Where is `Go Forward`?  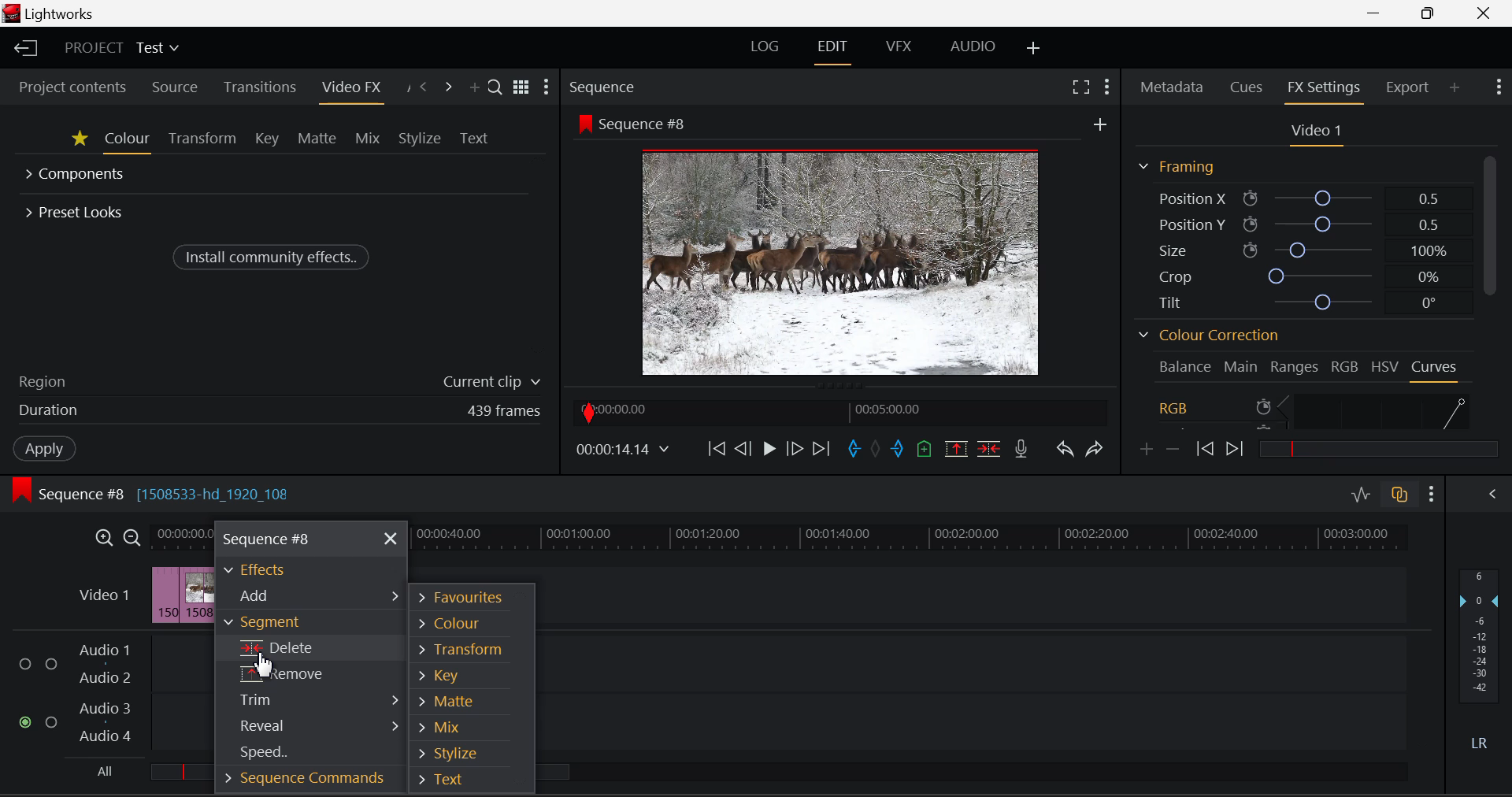 Go Forward is located at coordinates (797, 447).